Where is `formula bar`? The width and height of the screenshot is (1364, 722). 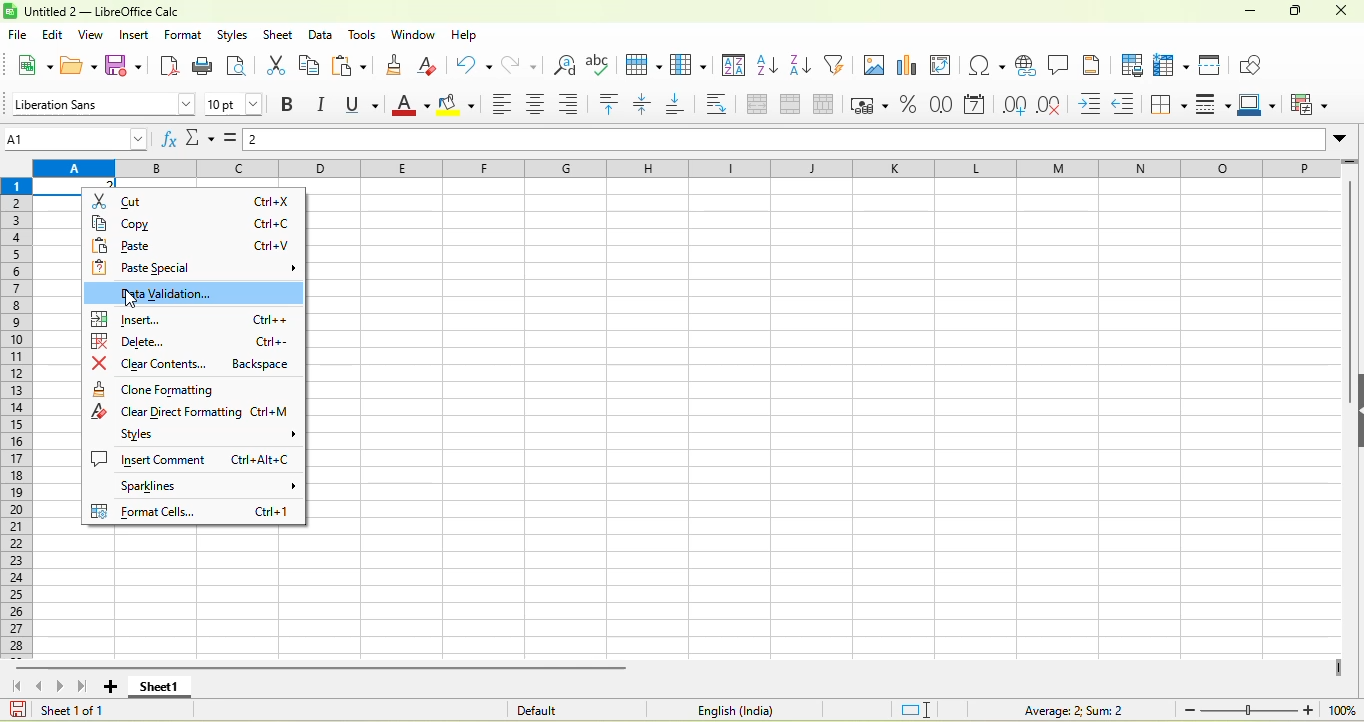 formula bar is located at coordinates (789, 140).